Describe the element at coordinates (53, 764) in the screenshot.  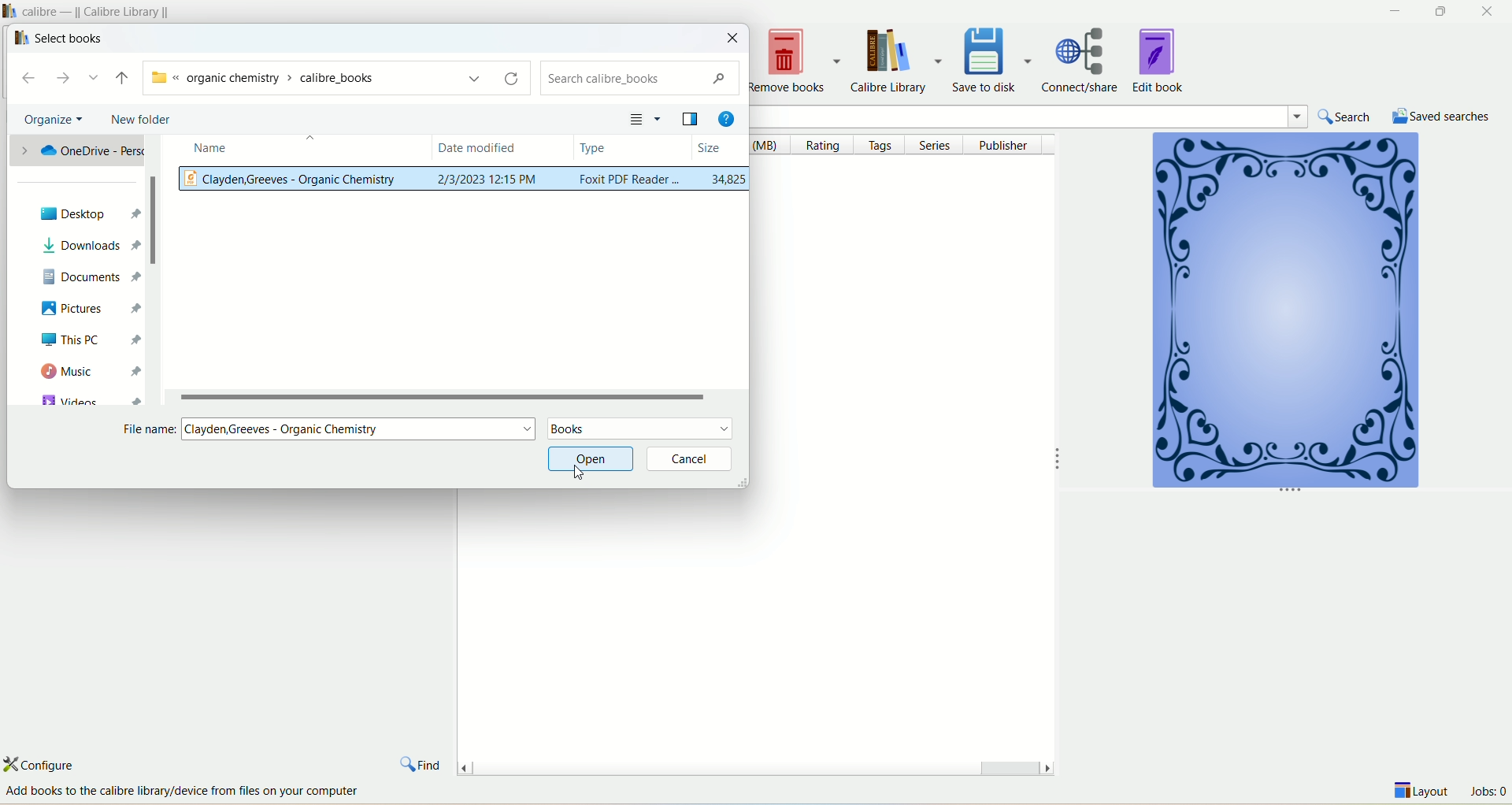
I see `configure` at that location.